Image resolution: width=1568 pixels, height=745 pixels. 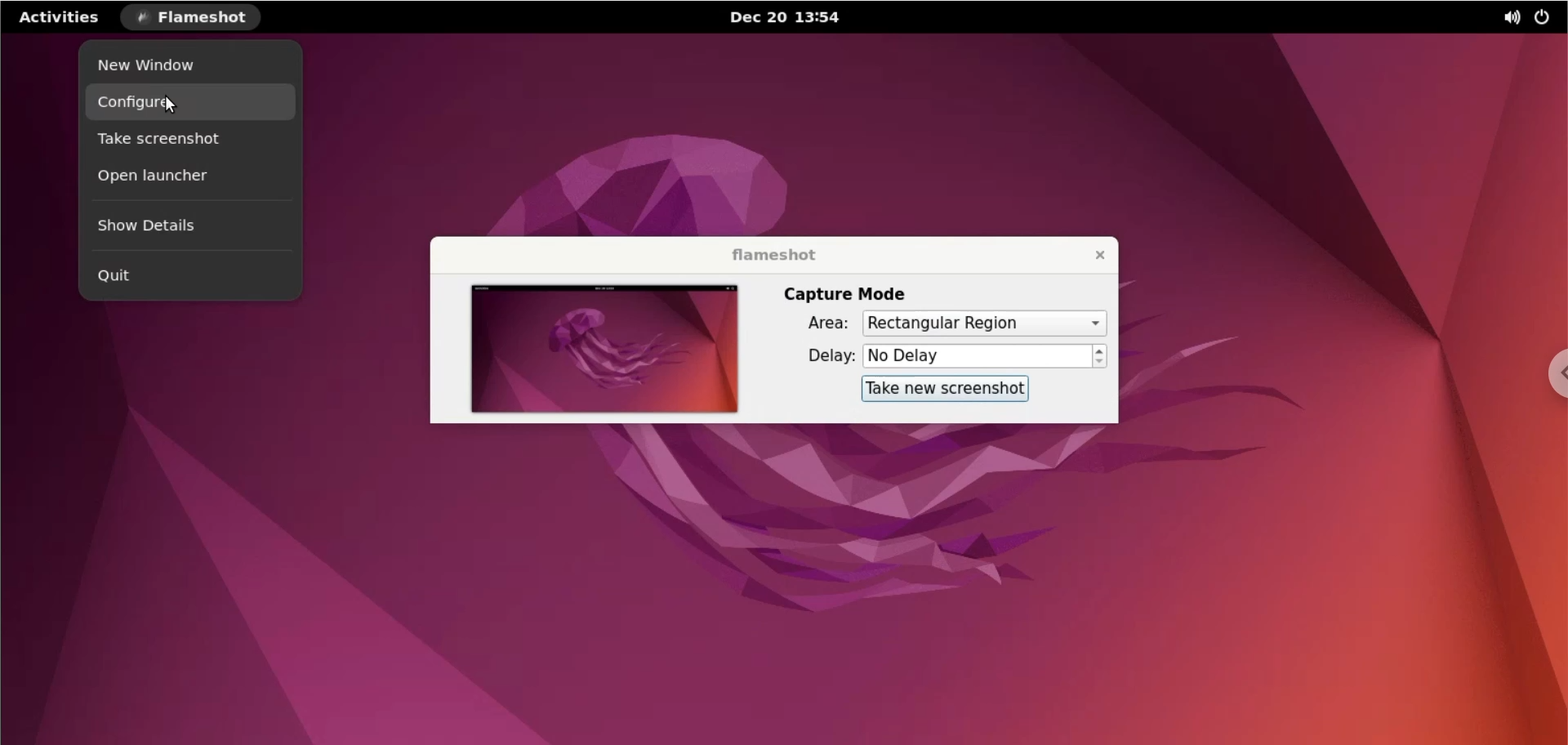 I want to click on show details, so click(x=190, y=222).